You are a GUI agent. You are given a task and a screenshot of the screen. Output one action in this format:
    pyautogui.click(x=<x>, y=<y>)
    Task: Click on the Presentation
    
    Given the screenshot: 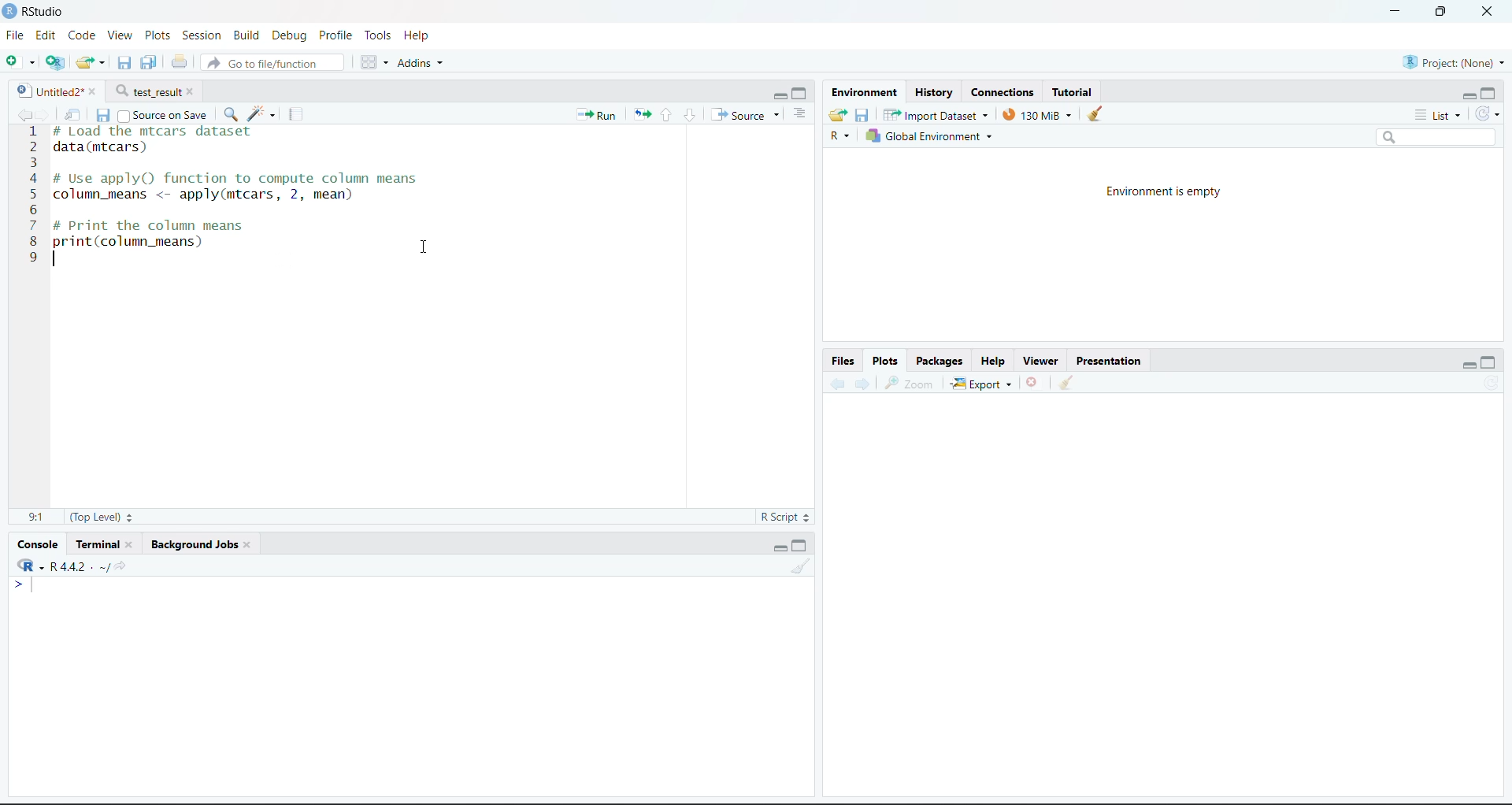 What is the action you would take?
    pyautogui.click(x=1109, y=358)
    